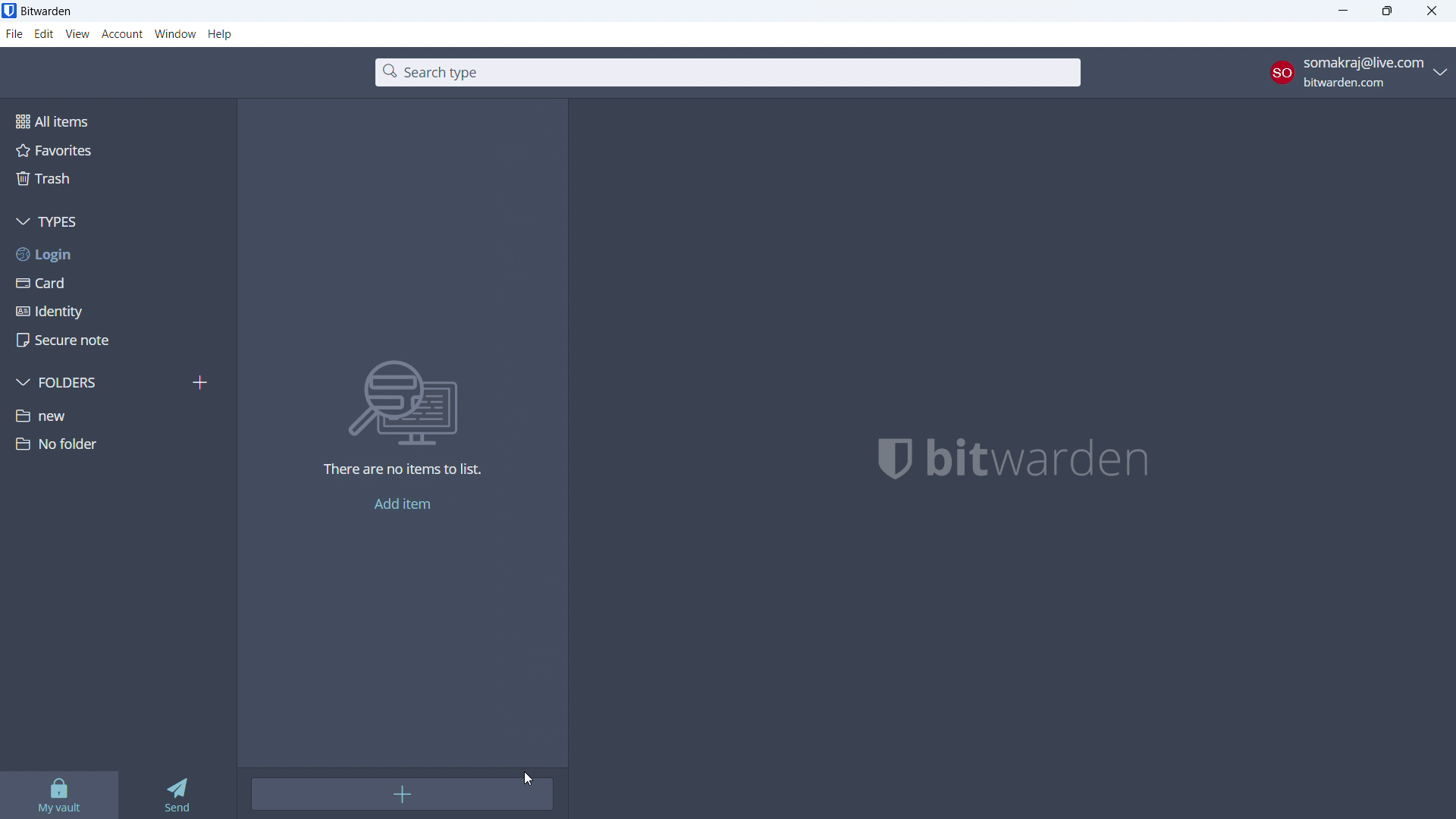 Image resolution: width=1456 pixels, height=819 pixels. What do you see at coordinates (221, 35) in the screenshot?
I see `help` at bounding box center [221, 35].